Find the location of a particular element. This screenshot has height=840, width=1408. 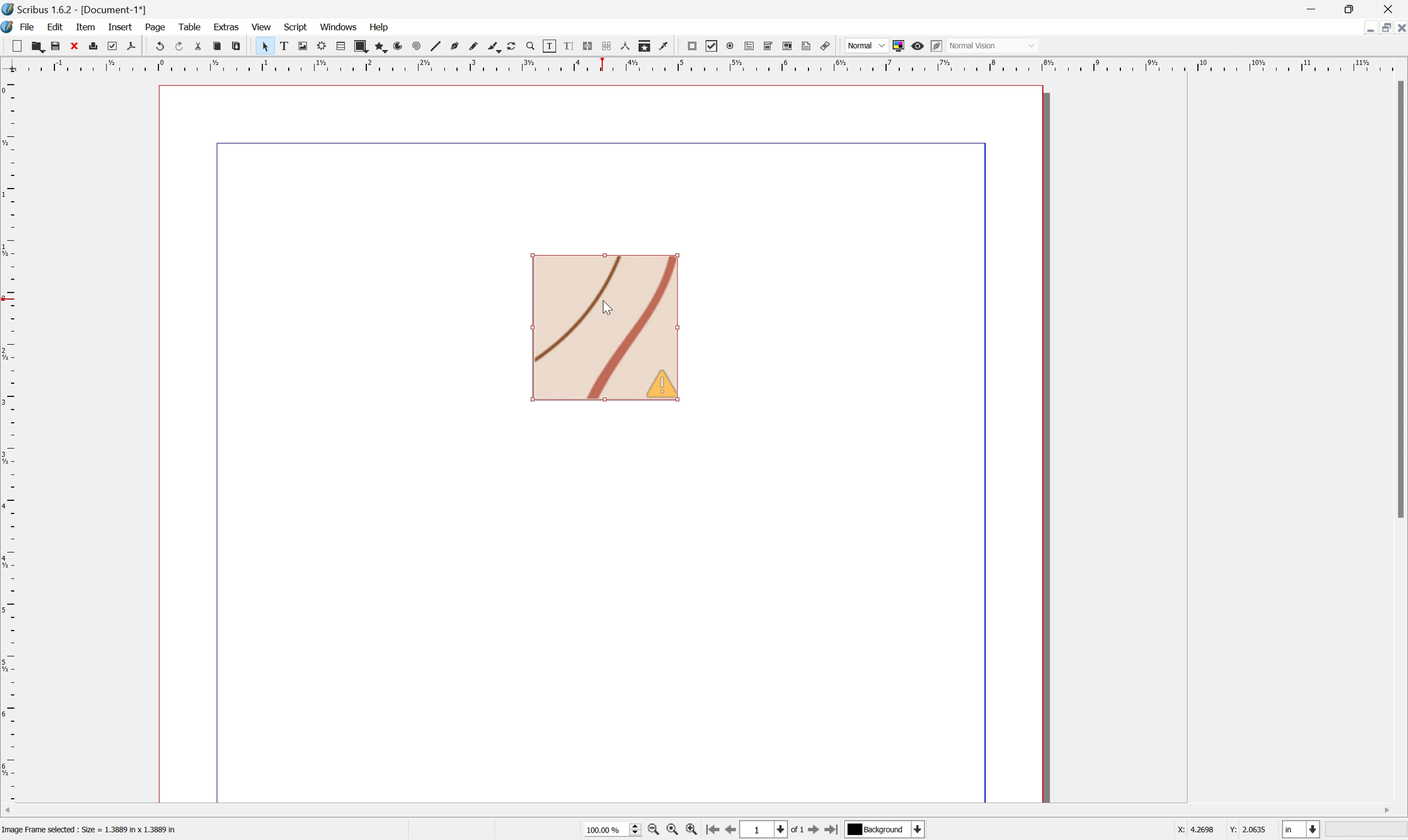

Print is located at coordinates (97, 46).